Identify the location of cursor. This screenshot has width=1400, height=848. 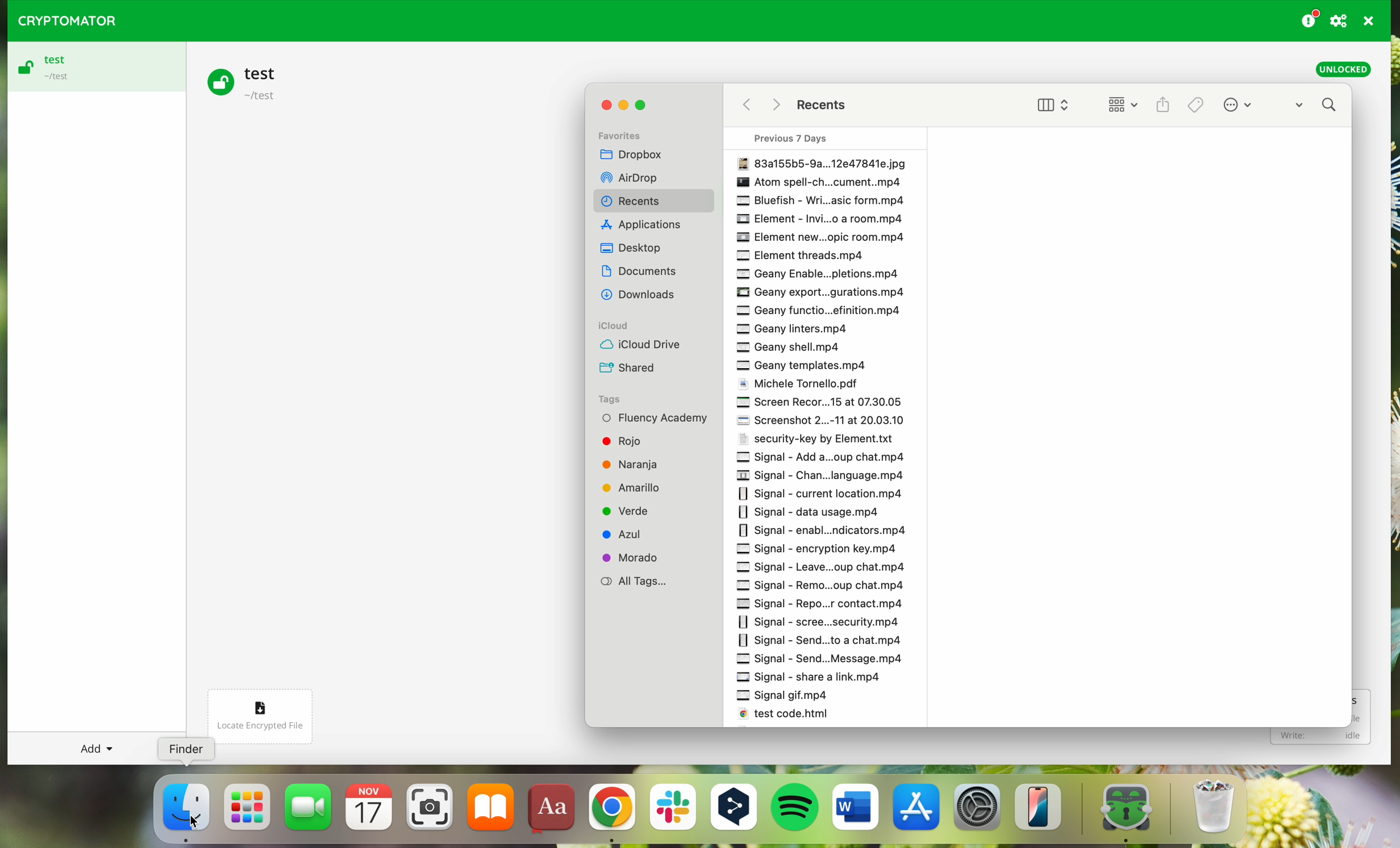
(189, 820).